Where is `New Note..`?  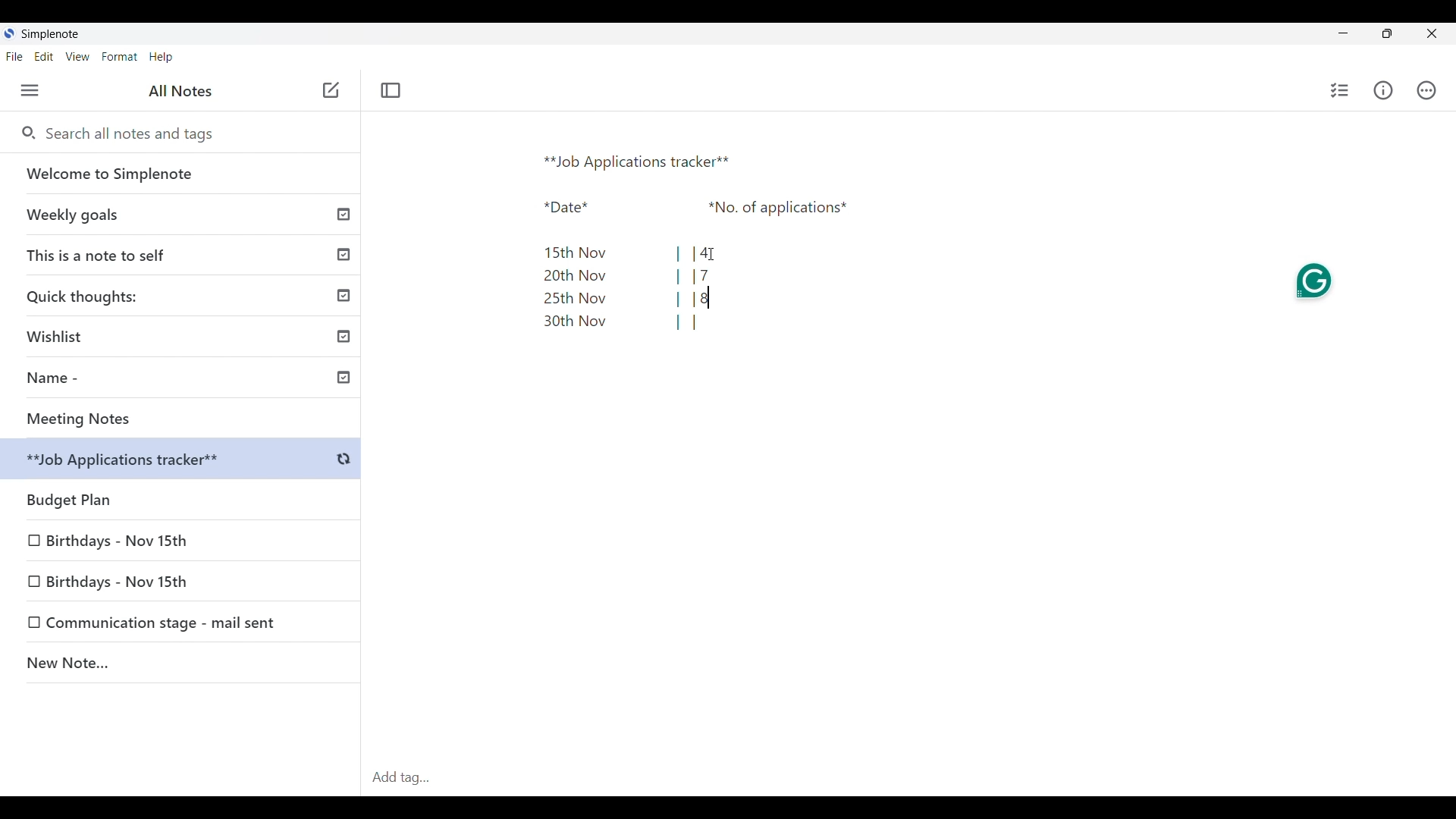 New Note.. is located at coordinates (181, 665).